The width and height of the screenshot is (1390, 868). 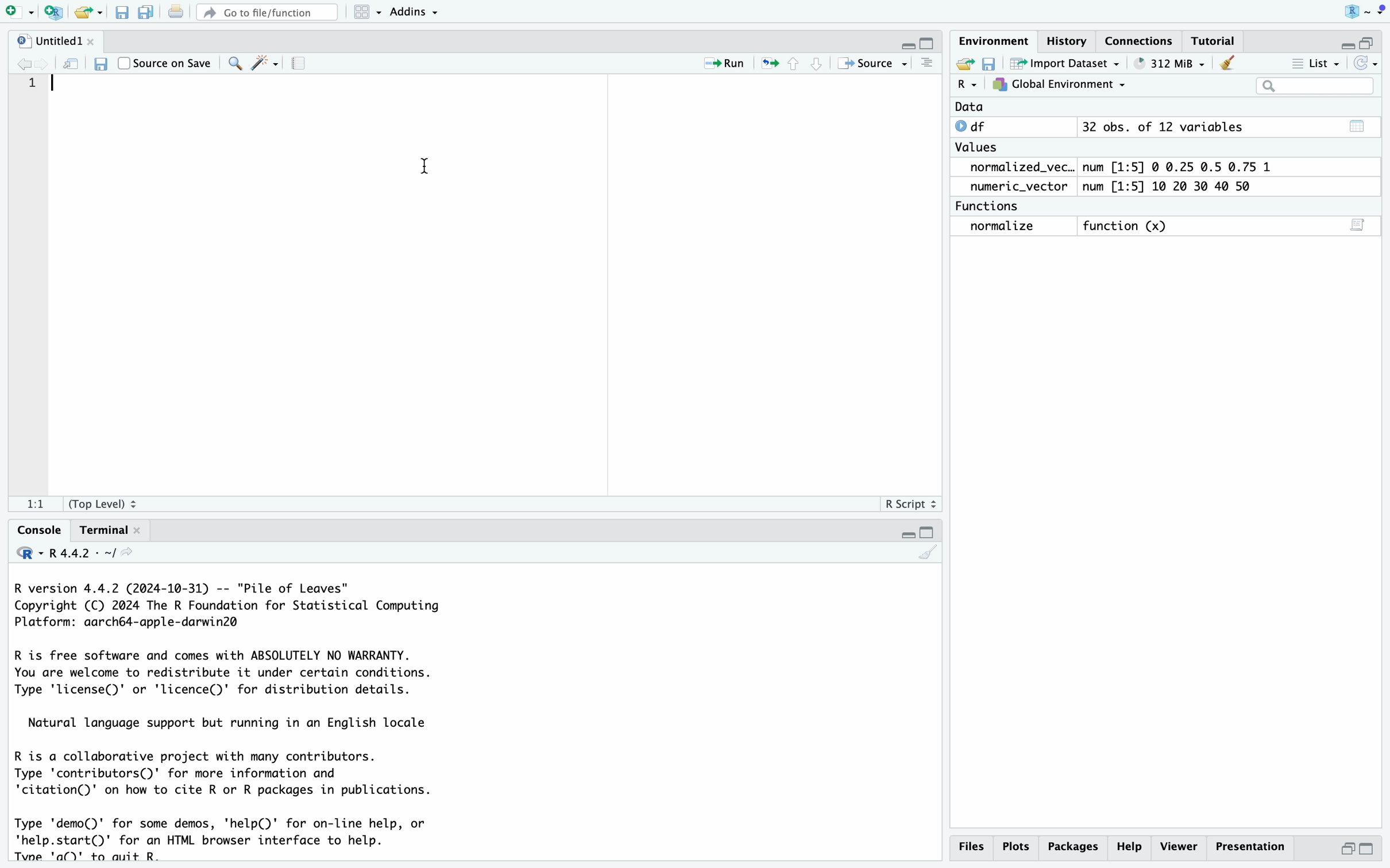 I want to click on Search, so click(x=1302, y=89).